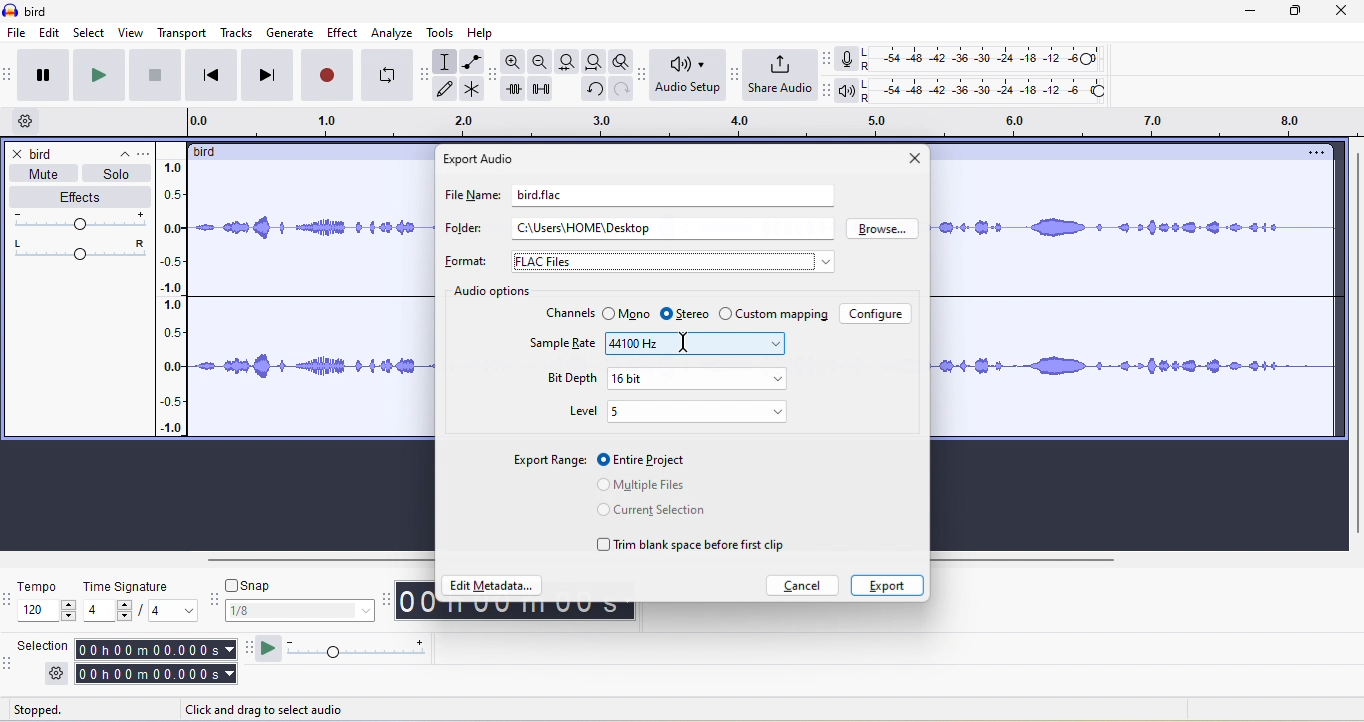 The image size is (1364, 722). What do you see at coordinates (183, 33) in the screenshot?
I see `transport` at bounding box center [183, 33].